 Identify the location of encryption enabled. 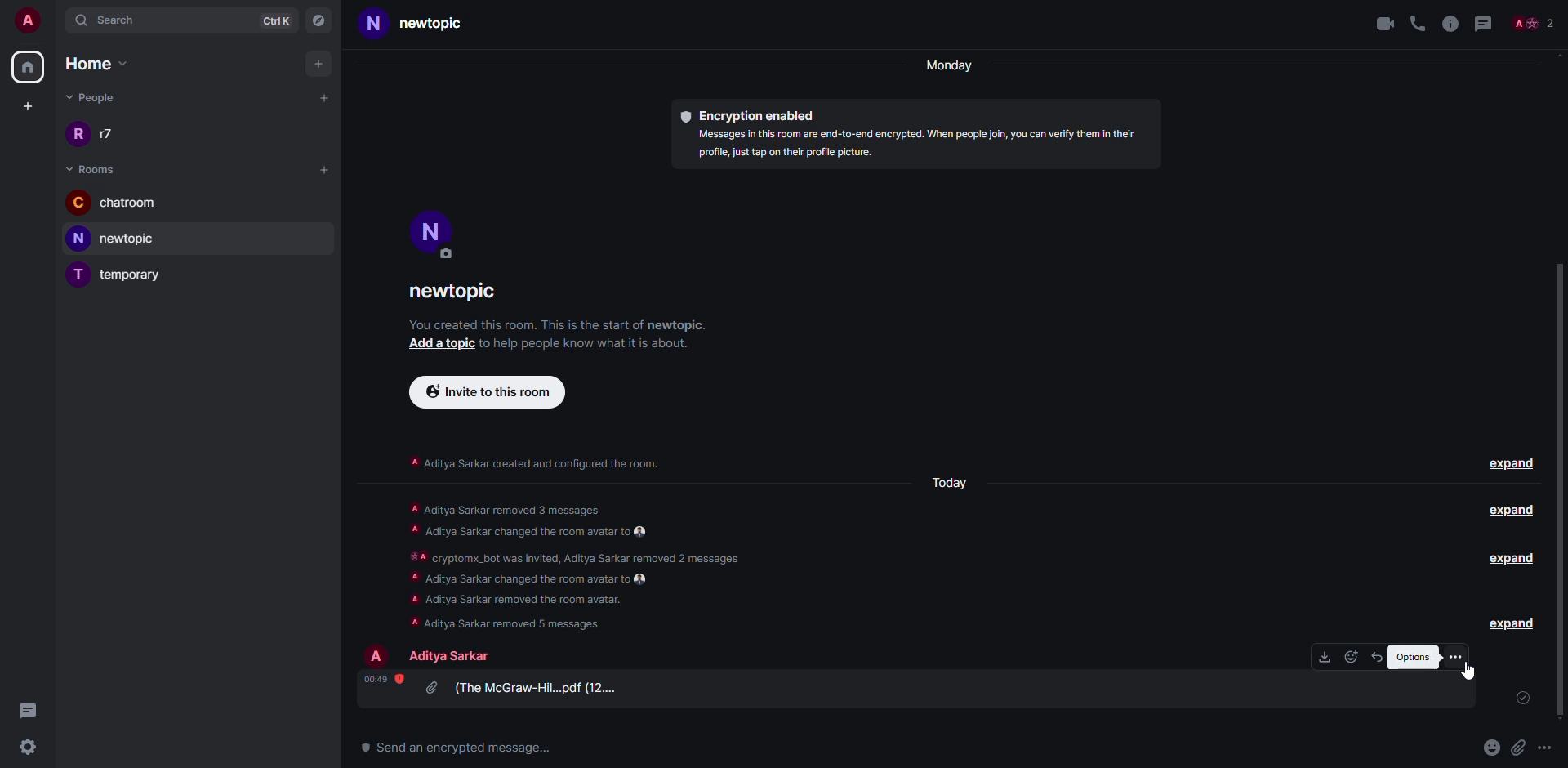
(761, 114).